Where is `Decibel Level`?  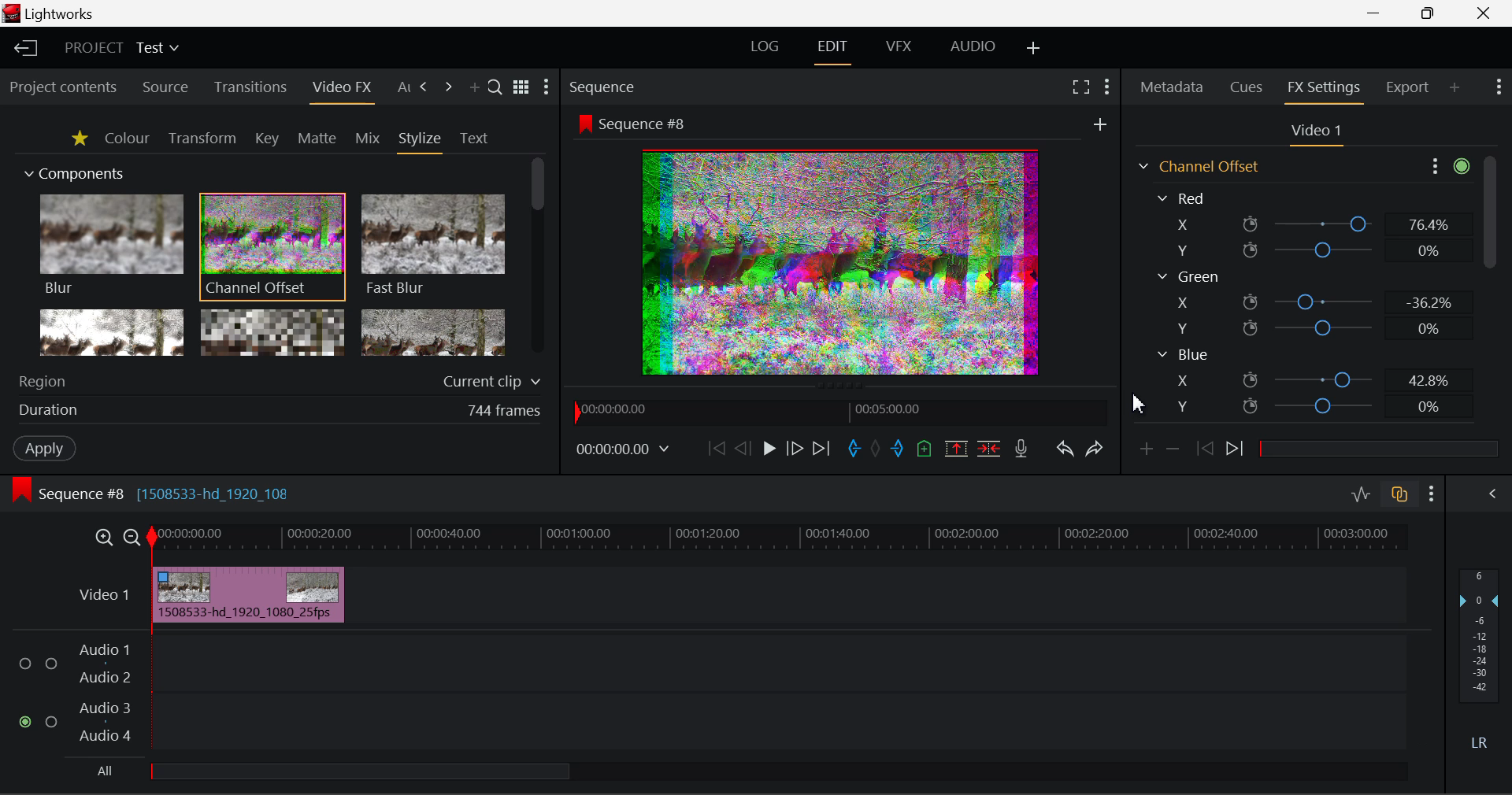 Decibel Level is located at coordinates (1480, 657).